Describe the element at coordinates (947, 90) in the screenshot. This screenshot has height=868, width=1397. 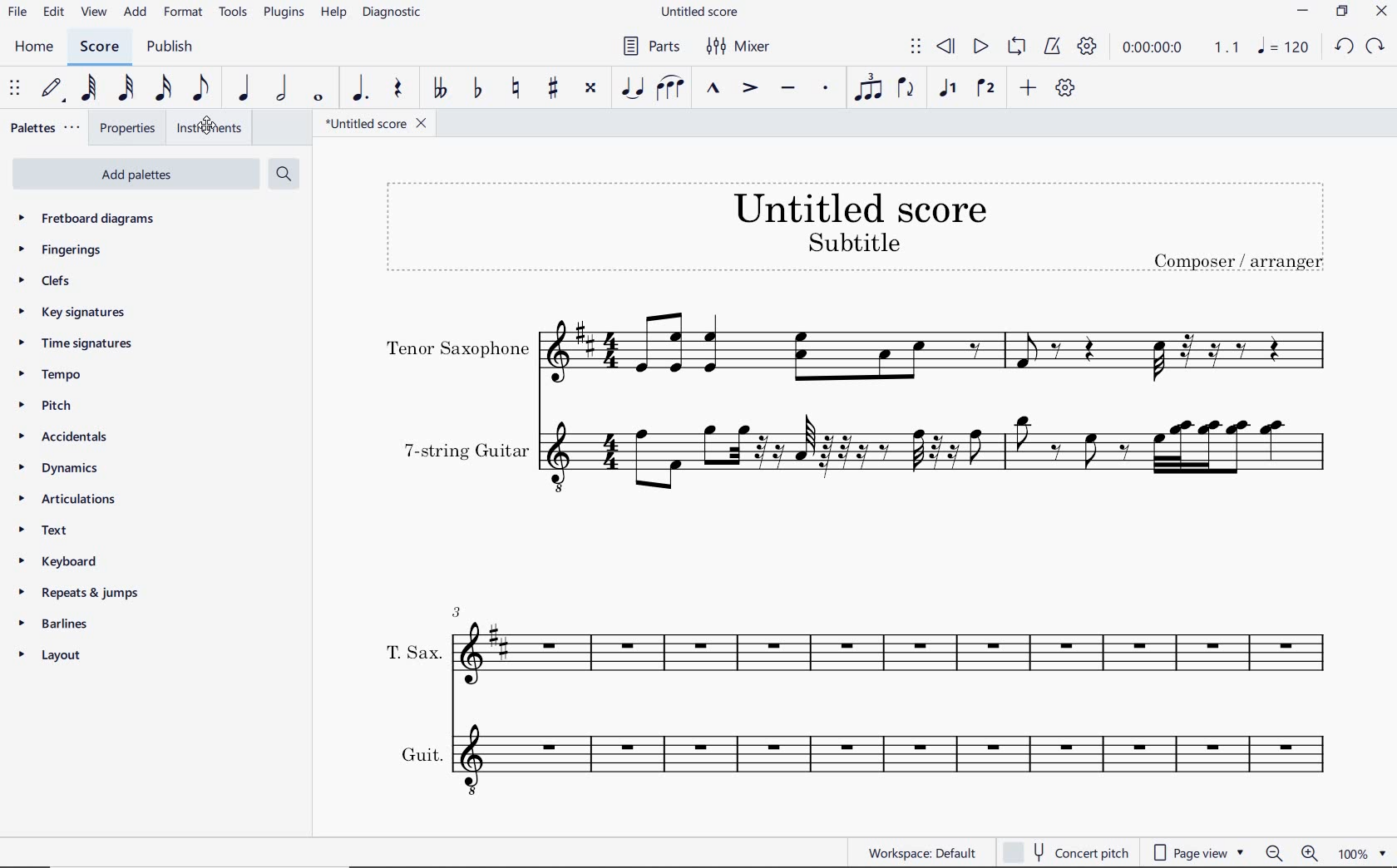
I see `VOICE 1` at that location.